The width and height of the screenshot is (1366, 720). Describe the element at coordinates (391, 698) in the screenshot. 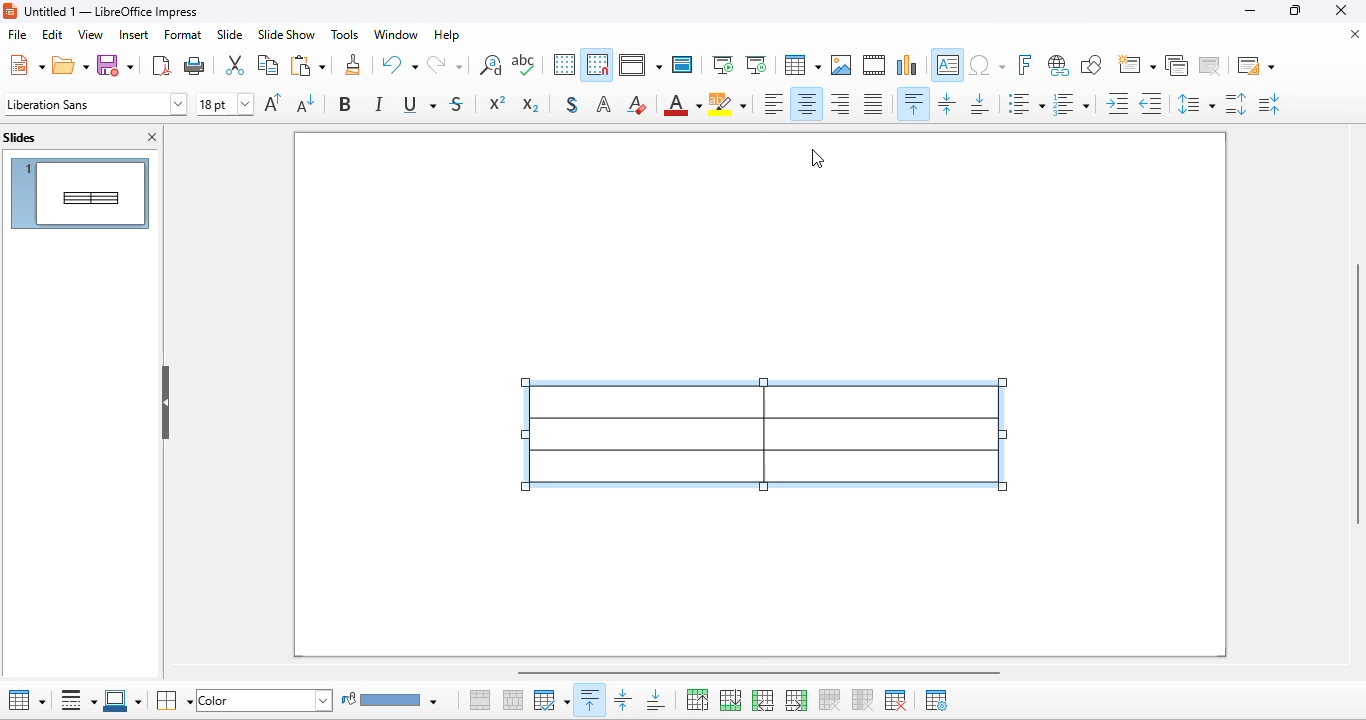

I see `fill color` at that location.